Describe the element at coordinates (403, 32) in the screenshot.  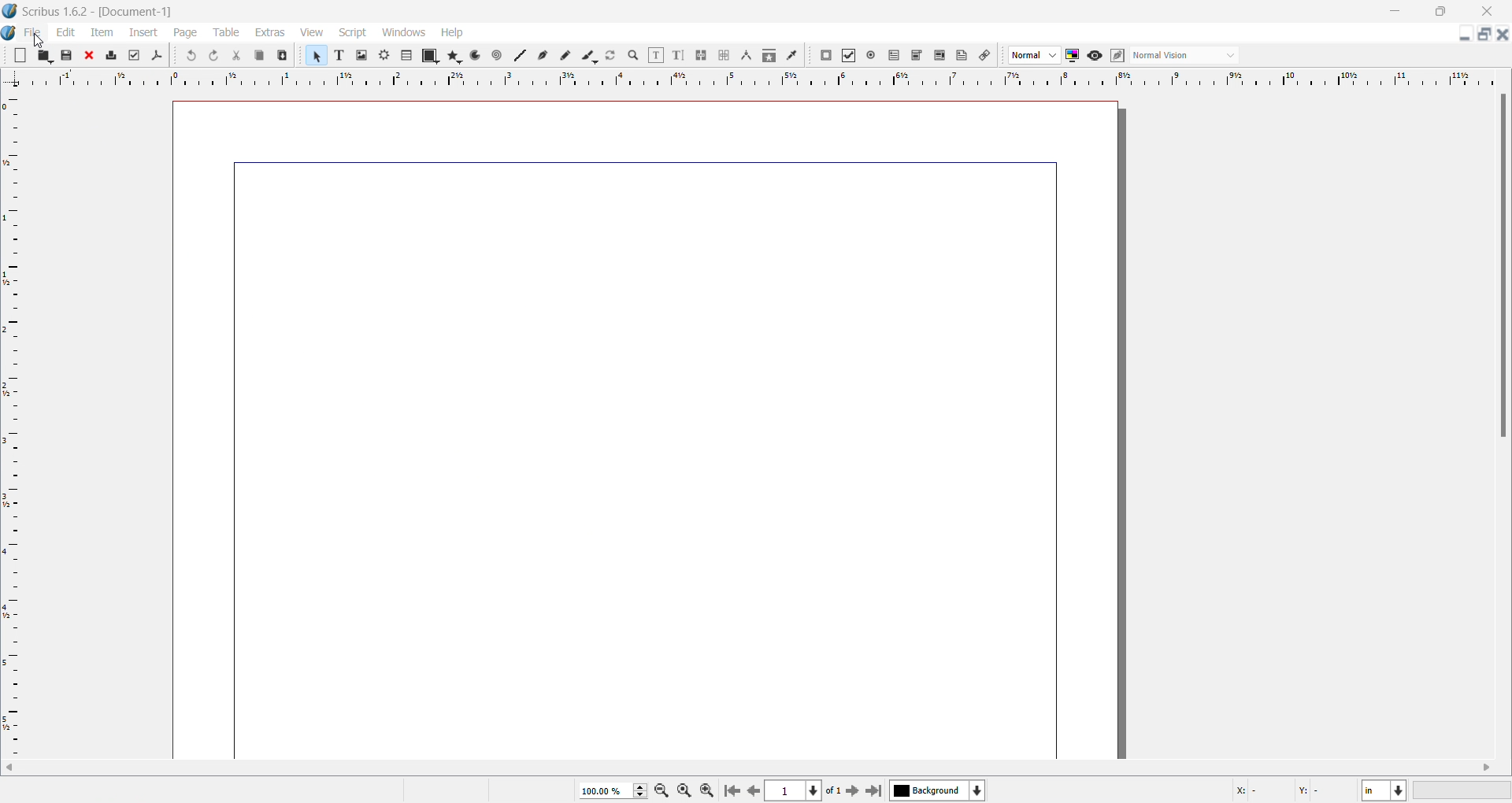
I see `Windows` at that location.